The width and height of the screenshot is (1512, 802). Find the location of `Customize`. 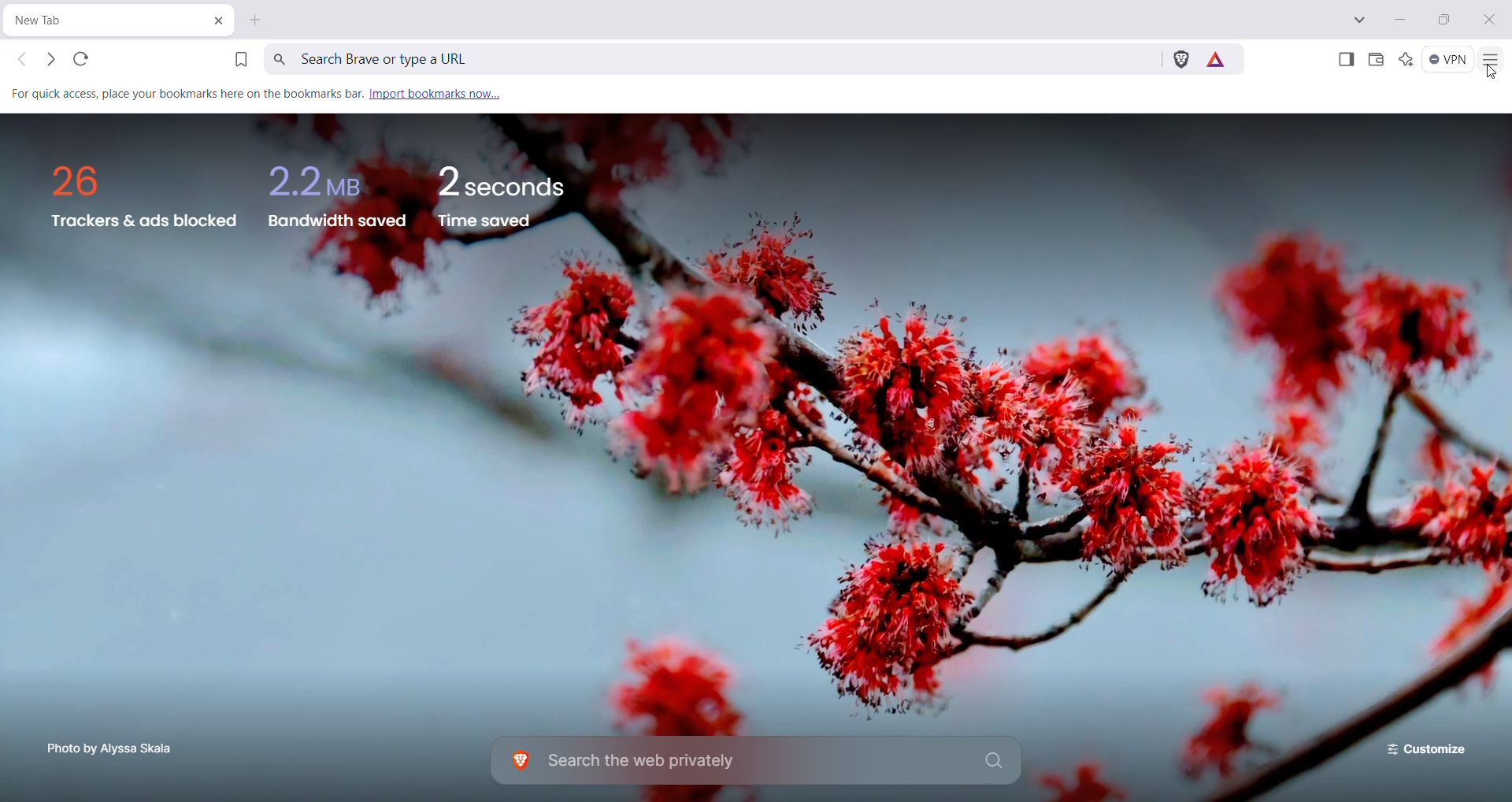

Customize is located at coordinates (1426, 751).